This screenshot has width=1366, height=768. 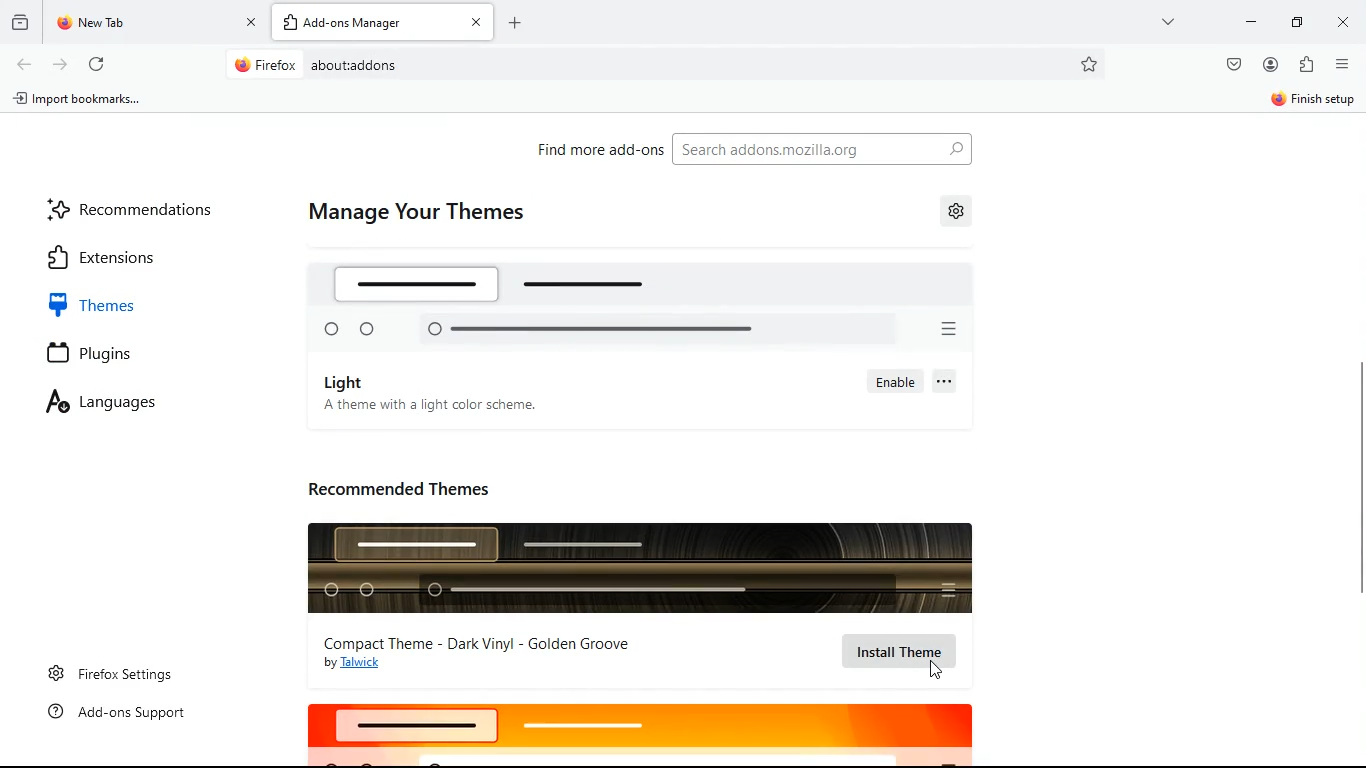 I want to click on light, so click(x=348, y=382).